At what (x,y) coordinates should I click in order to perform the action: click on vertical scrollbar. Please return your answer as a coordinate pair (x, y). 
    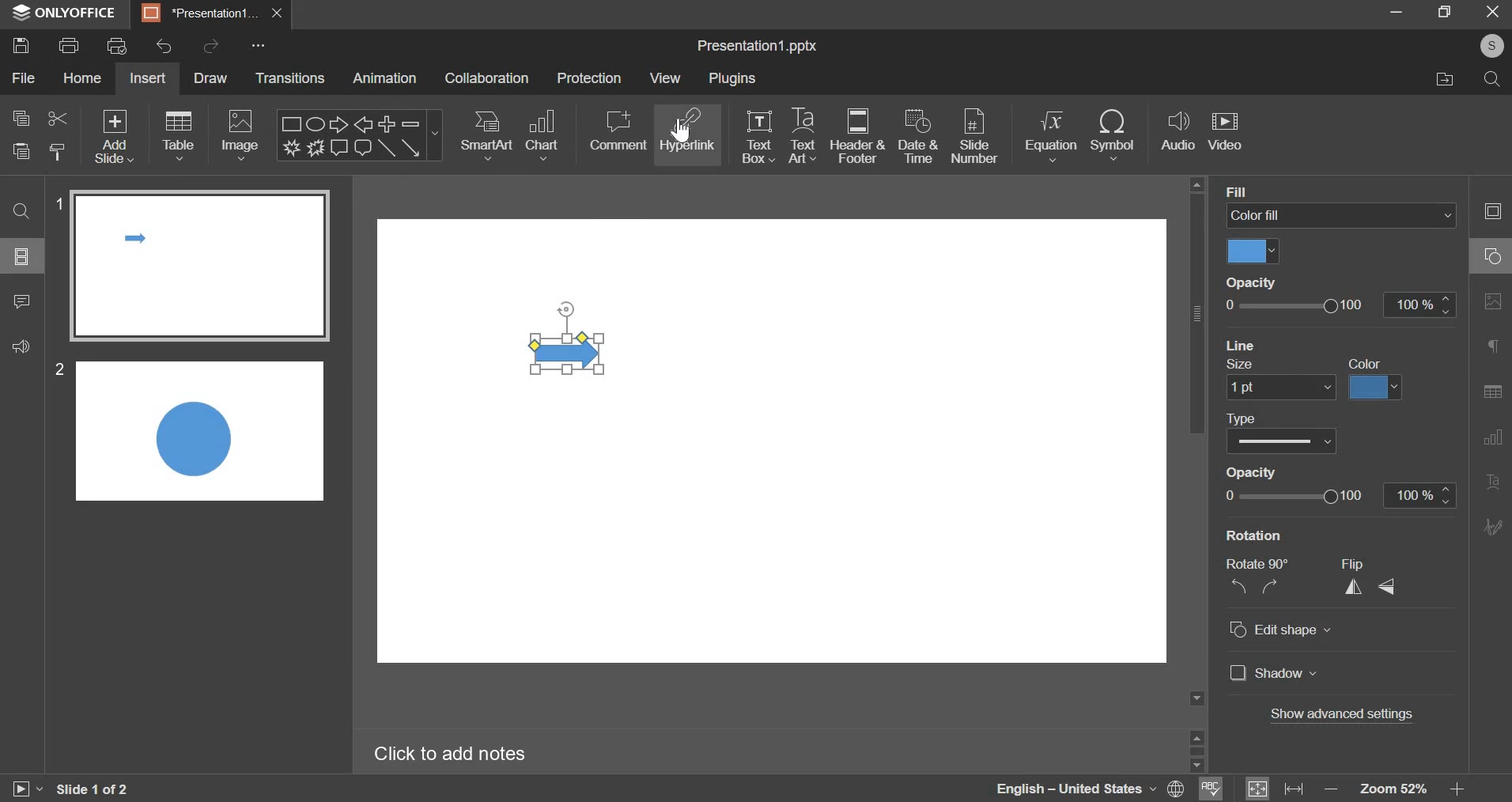
    Looking at the image, I should click on (1197, 316).